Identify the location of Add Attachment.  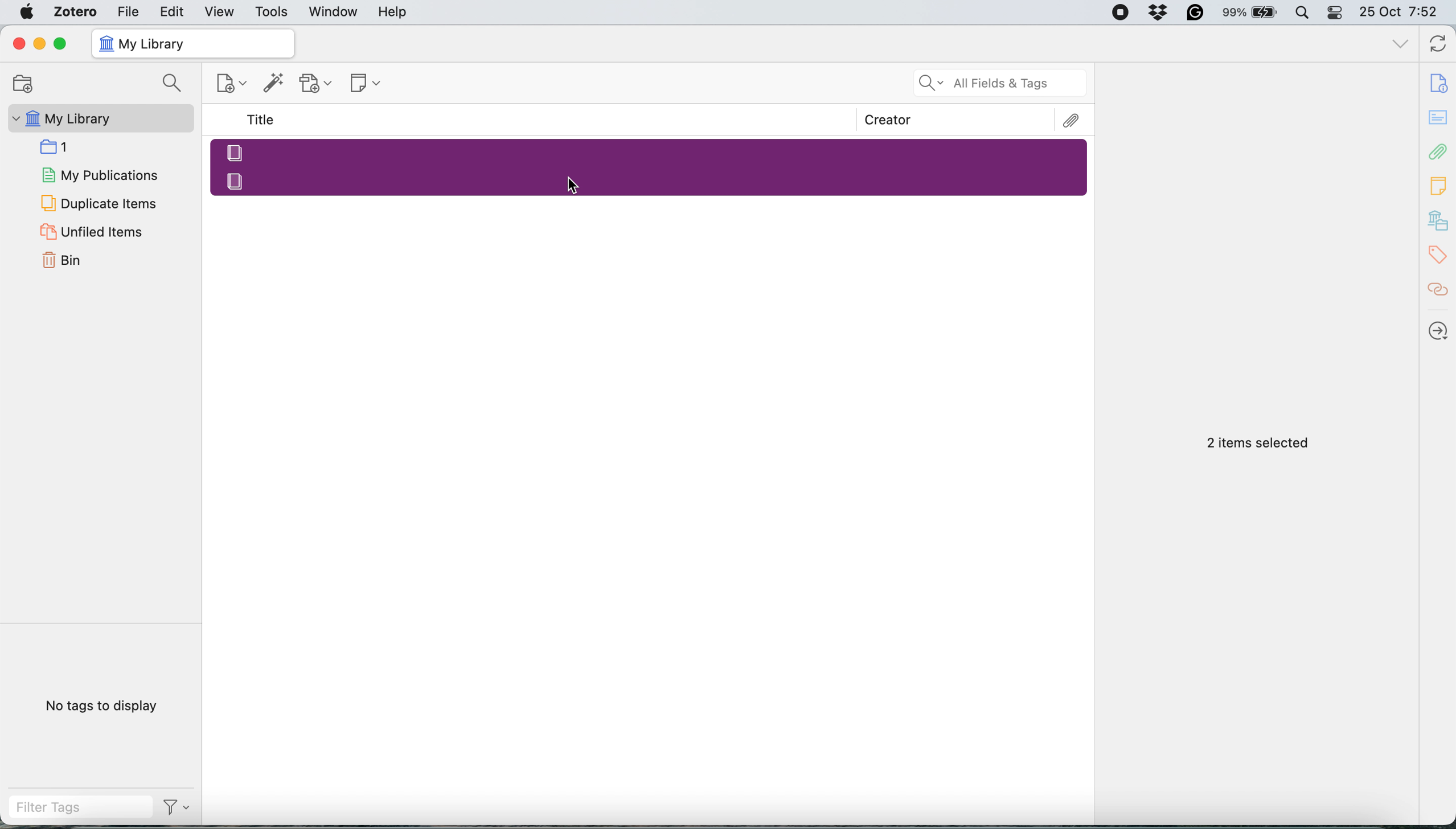
(316, 84).